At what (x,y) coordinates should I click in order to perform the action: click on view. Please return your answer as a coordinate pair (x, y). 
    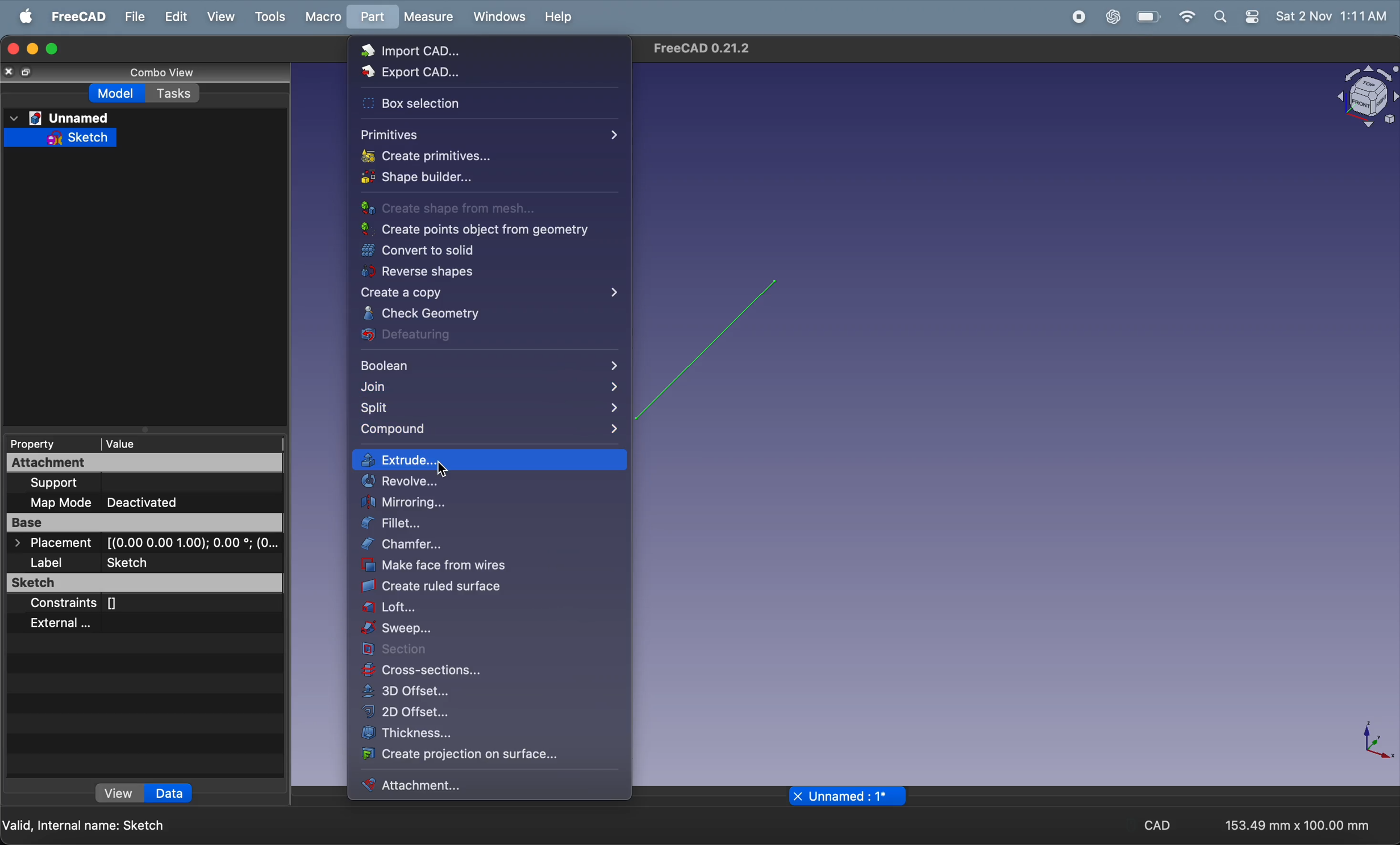
    Looking at the image, I should click on (114, 792).